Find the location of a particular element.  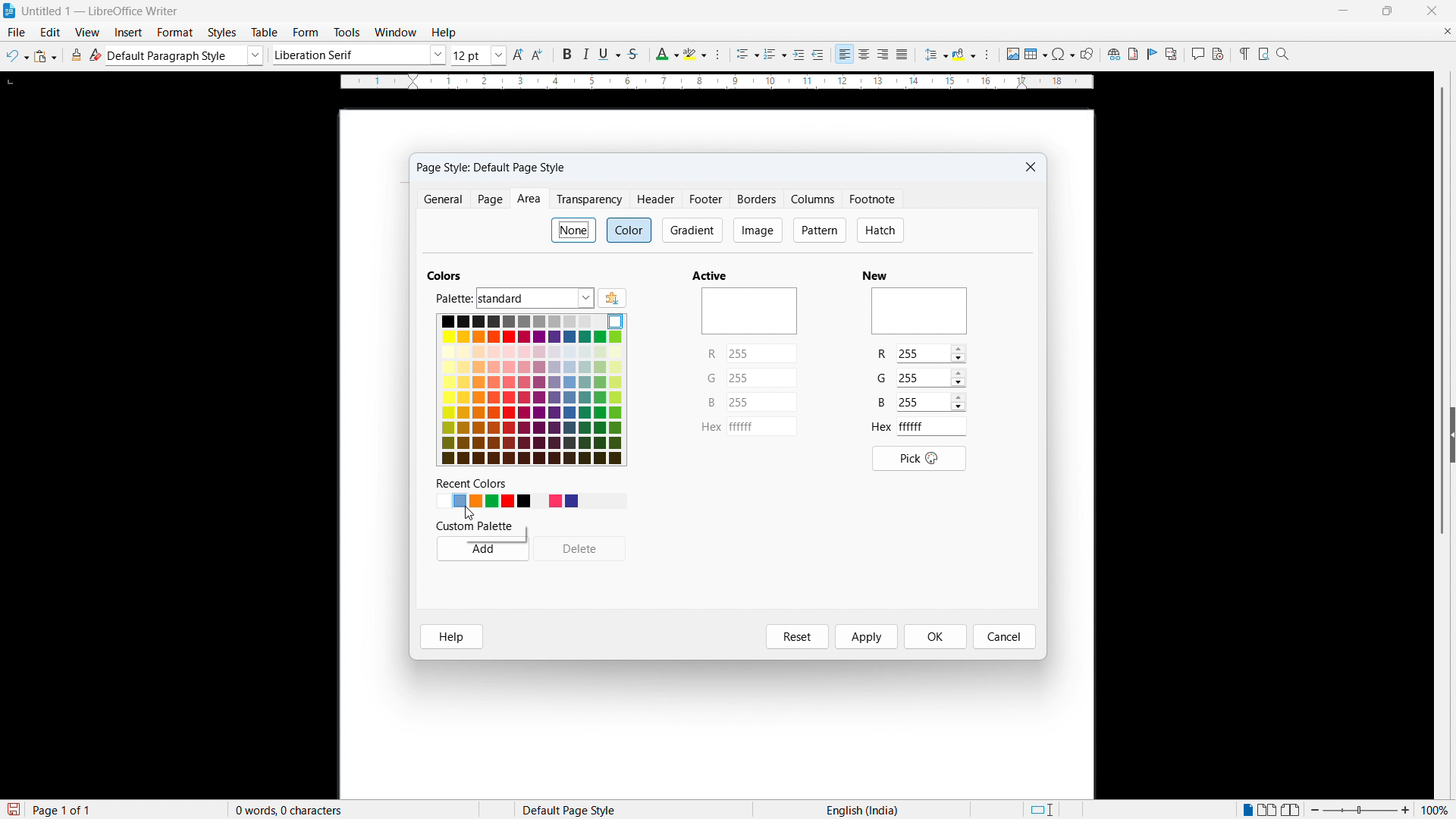

Increase font size  is located at coordinates (519, 55).